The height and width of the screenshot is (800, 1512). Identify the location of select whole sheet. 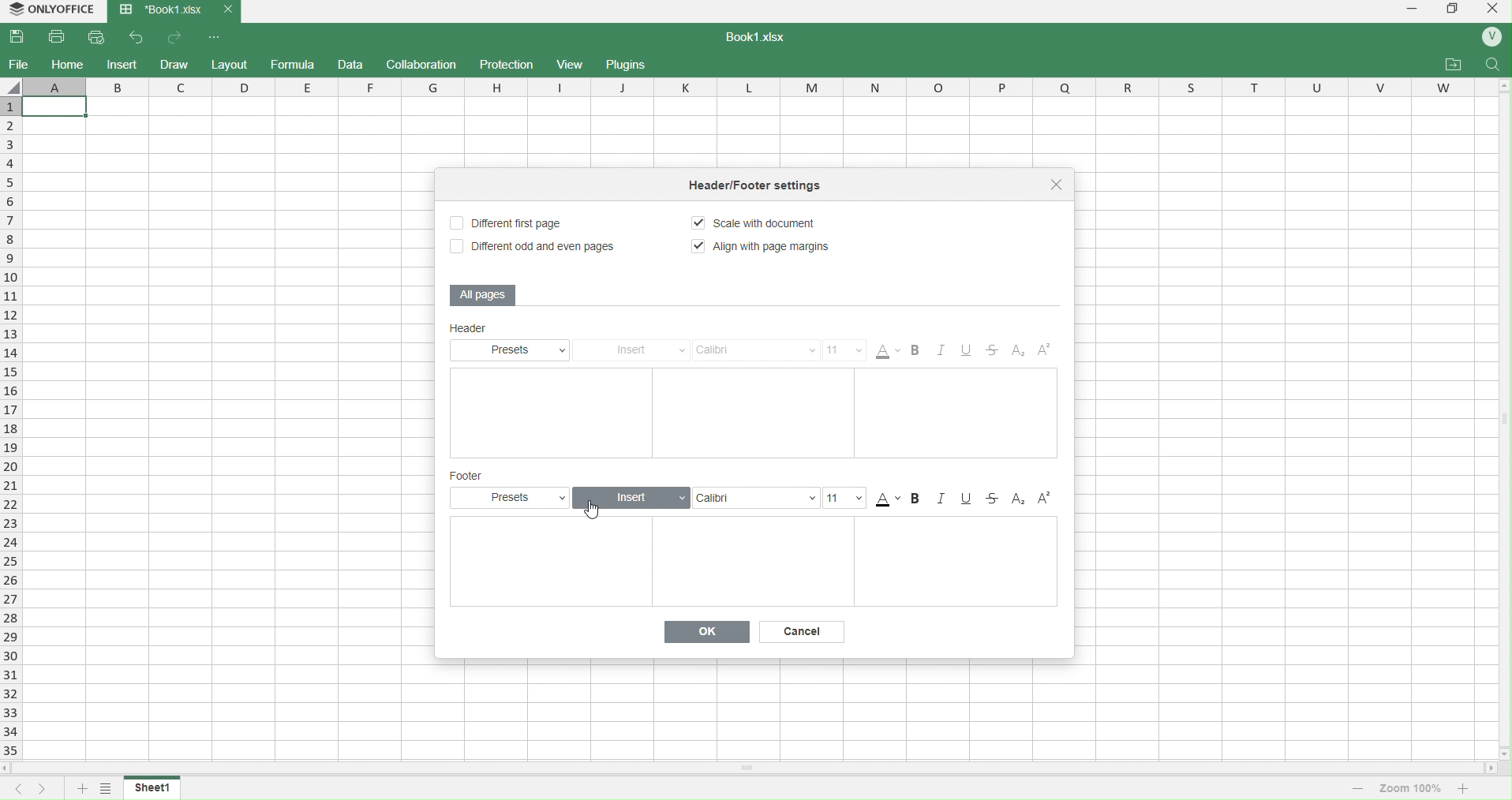
(13, 86).